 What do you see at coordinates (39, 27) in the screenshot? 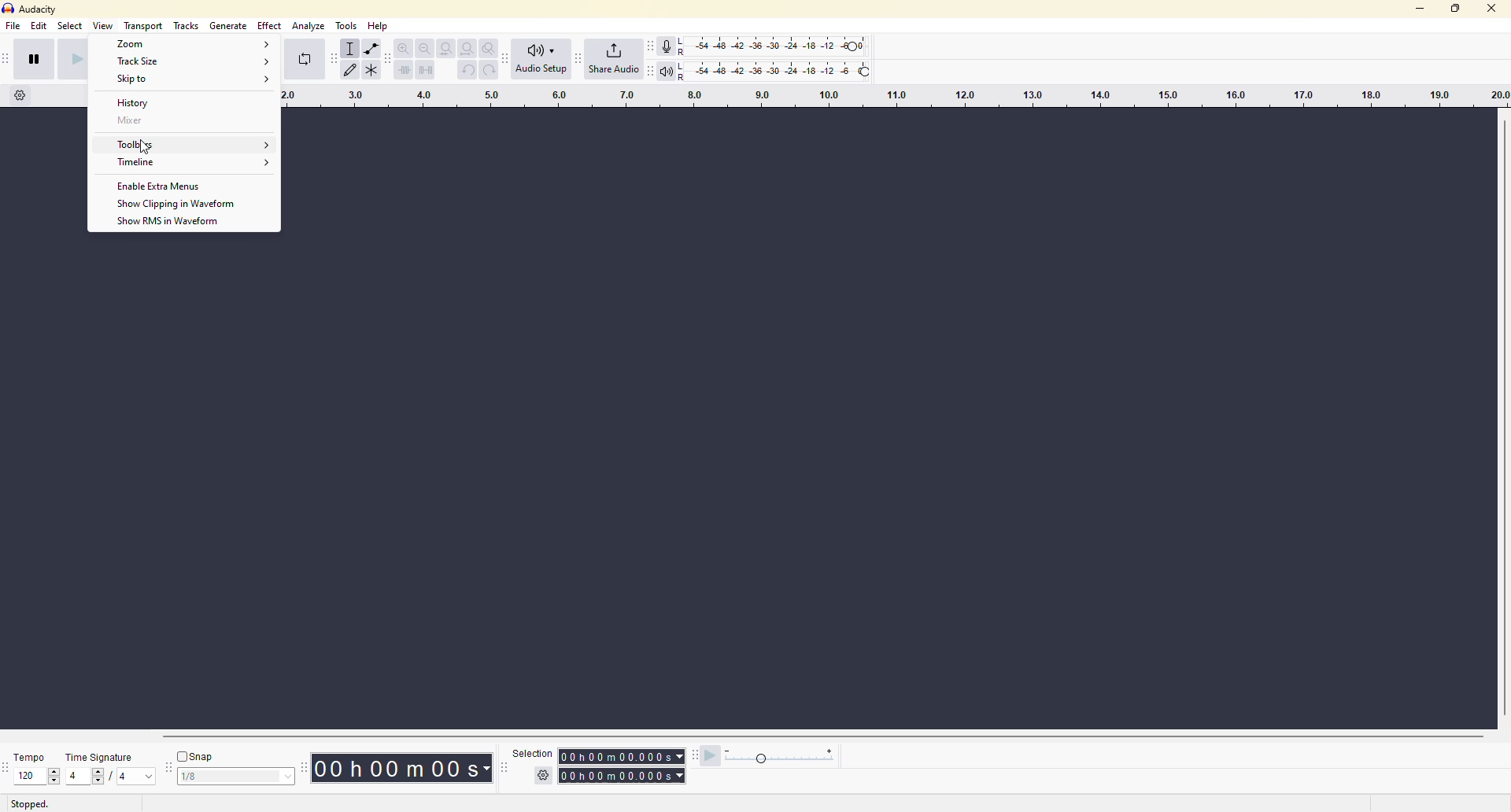
I see `edit` at bounding box center [39, 27].